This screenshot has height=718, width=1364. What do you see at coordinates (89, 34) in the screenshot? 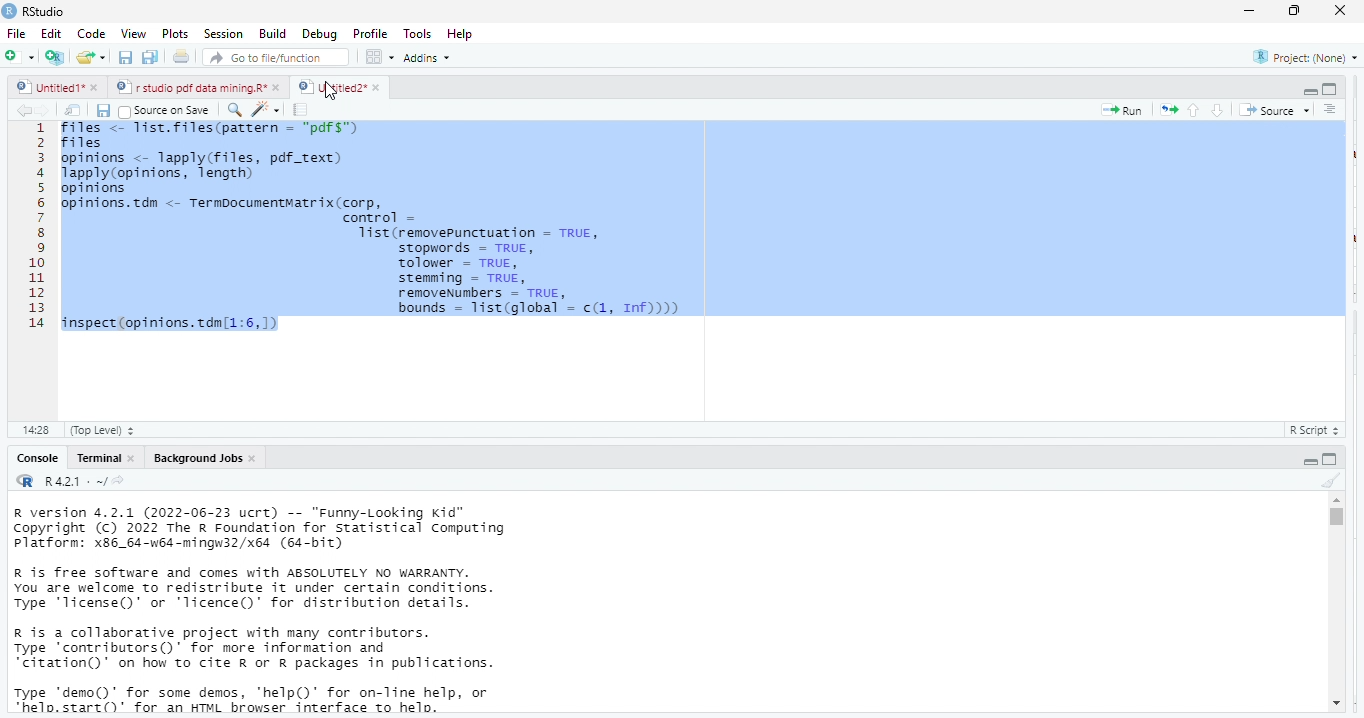
I see `code` at bounding box center [89, 34].